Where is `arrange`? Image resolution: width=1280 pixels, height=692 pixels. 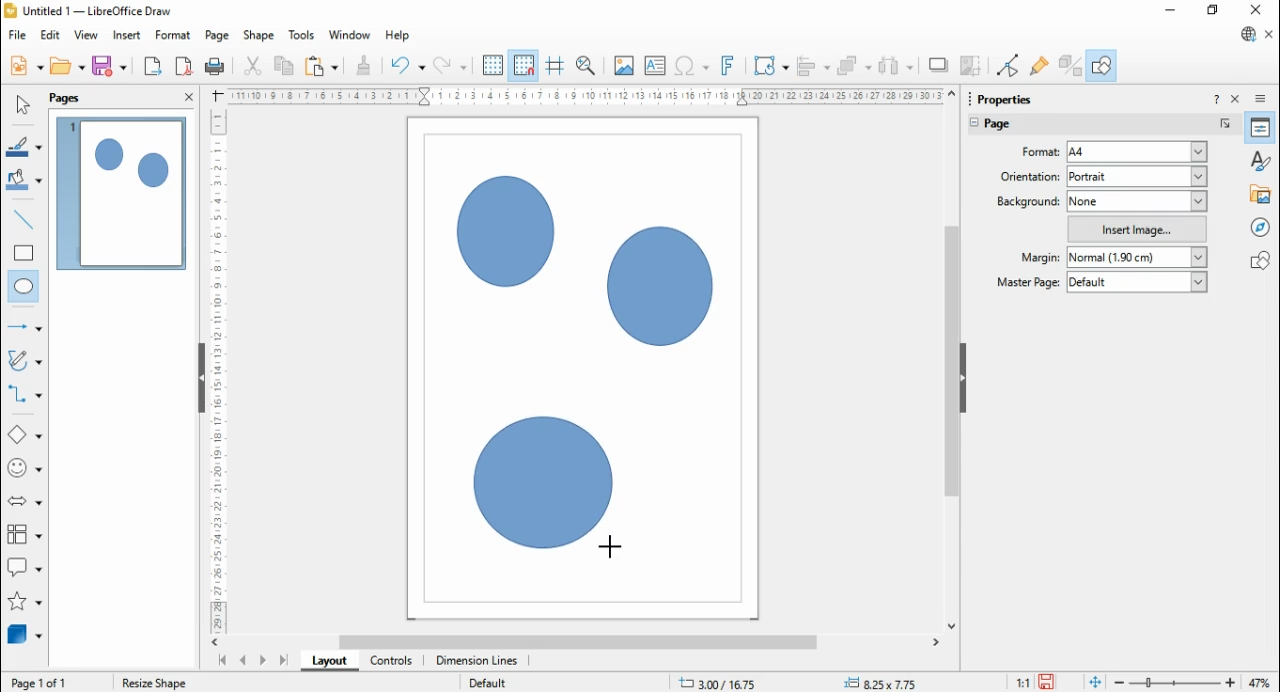
arrange is located at coordinates (855, 66).